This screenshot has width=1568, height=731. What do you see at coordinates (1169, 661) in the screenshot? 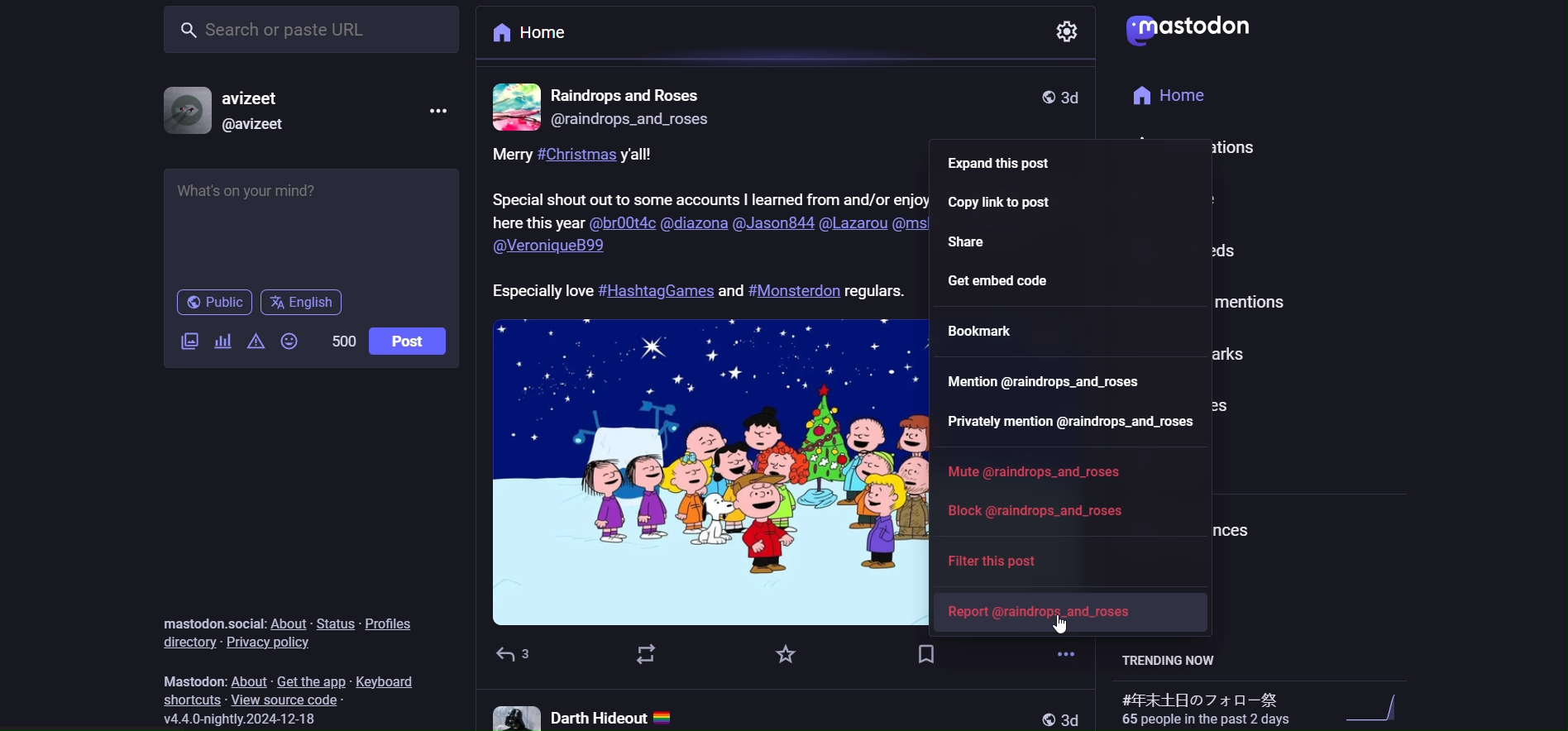
I see `trending now` at bounding box center [1169, 661].